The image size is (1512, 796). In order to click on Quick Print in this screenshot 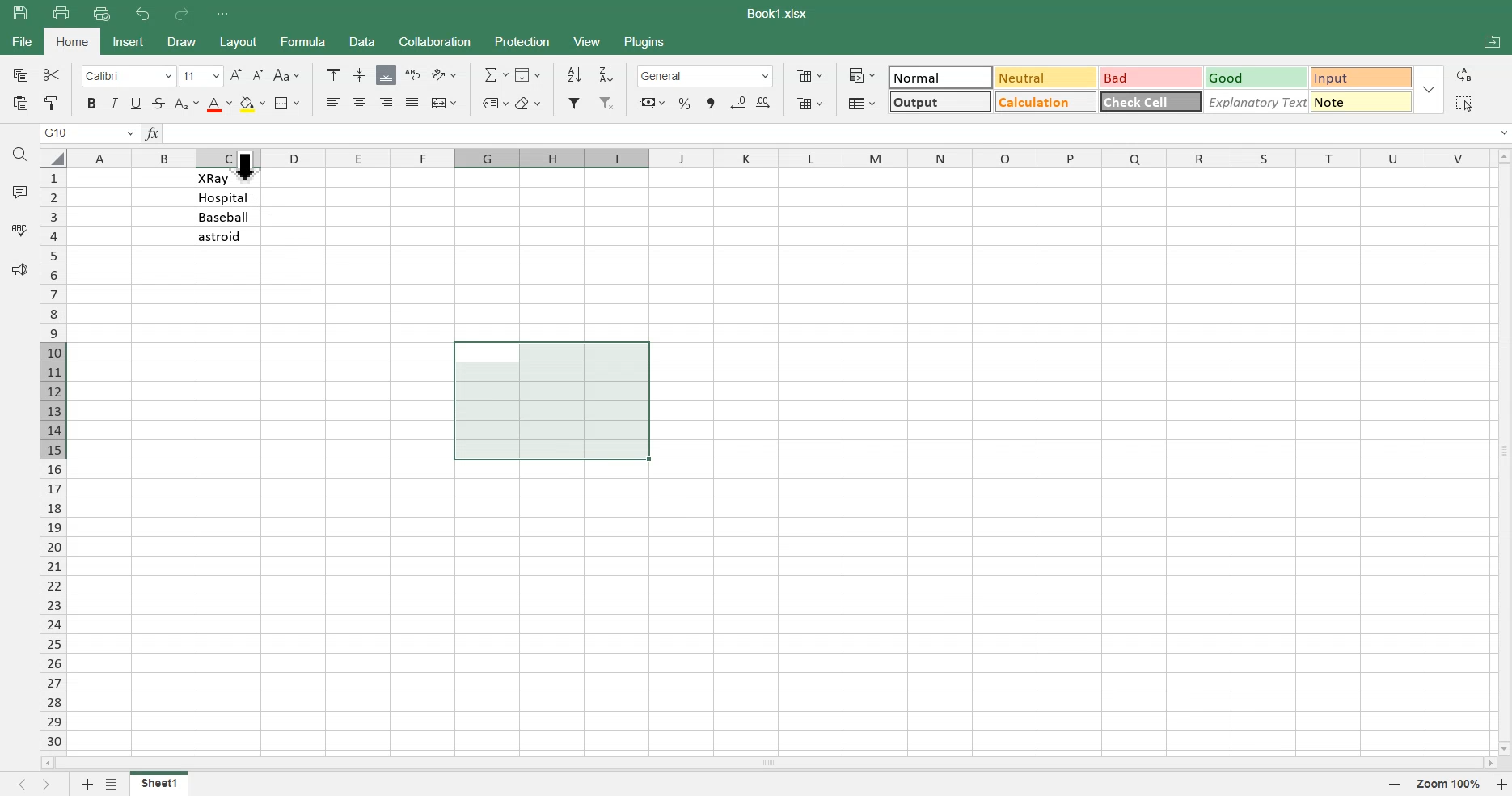, I will do `click(102, 14)`.